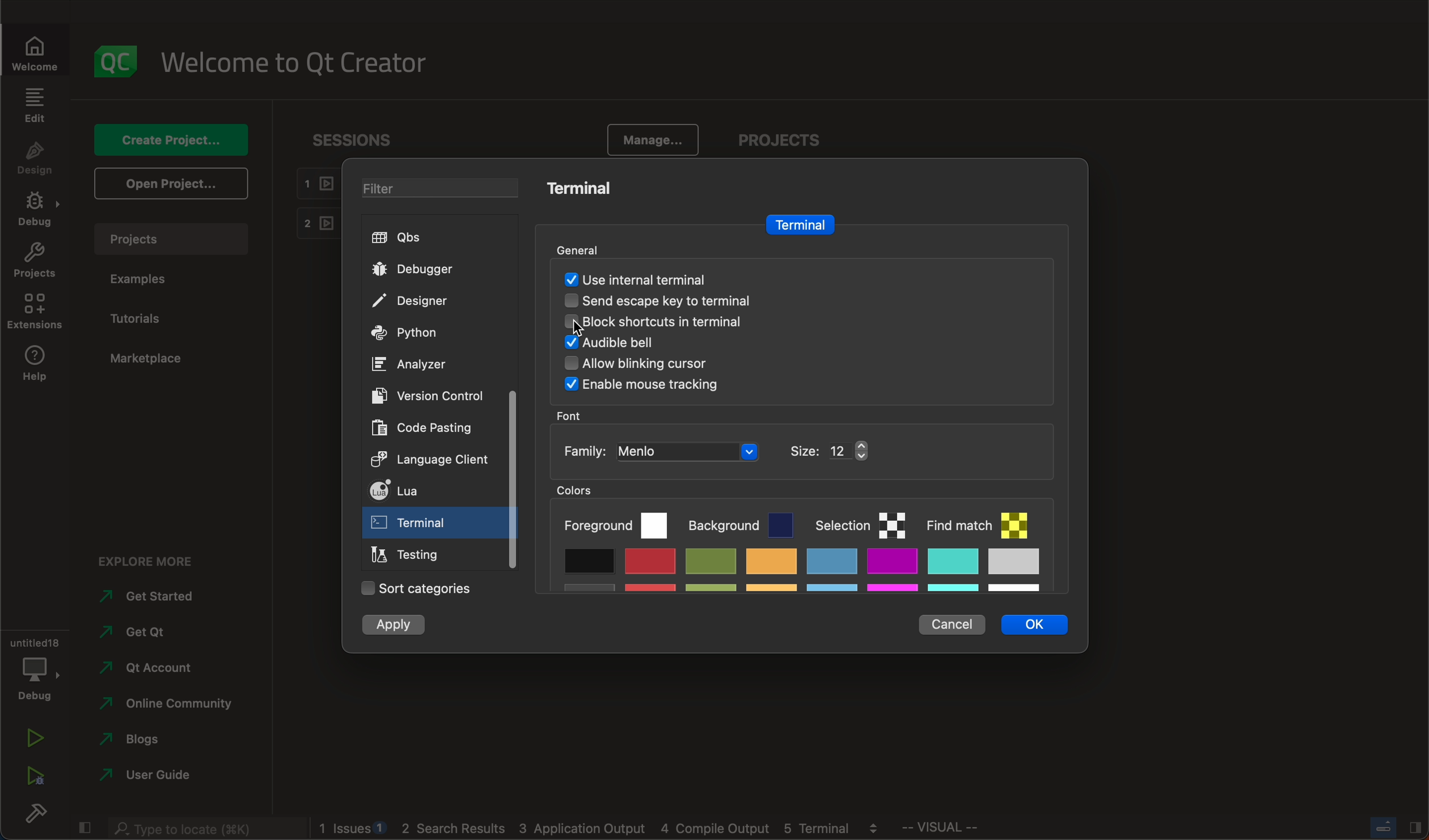 The width and height of the screenshot is (1429, 840). What do you see at coordinates (38, 313) in the screenshot?
I see `extensions` at bounding box center [38, 313].